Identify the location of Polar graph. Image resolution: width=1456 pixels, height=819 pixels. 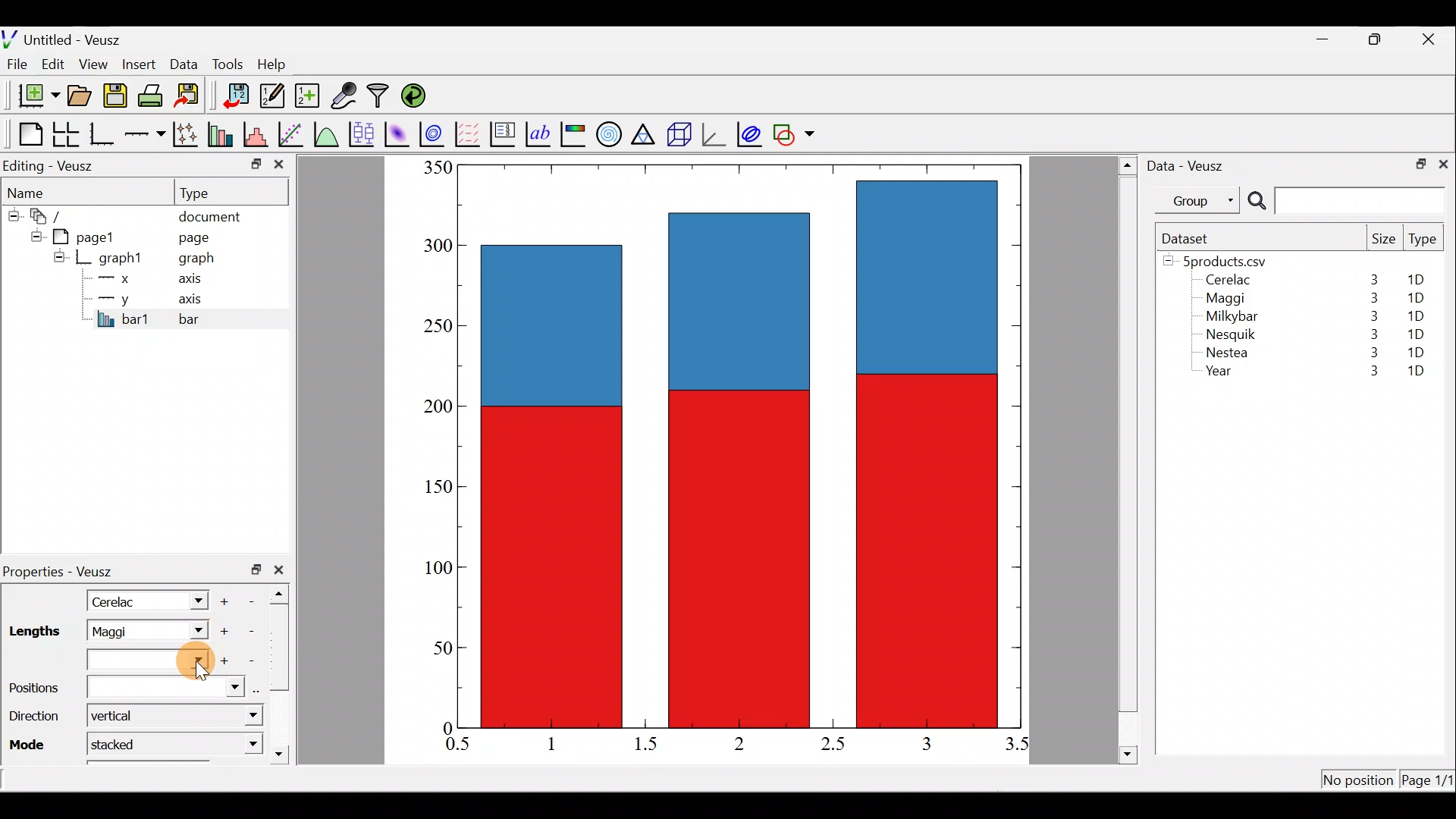
(606, 132).